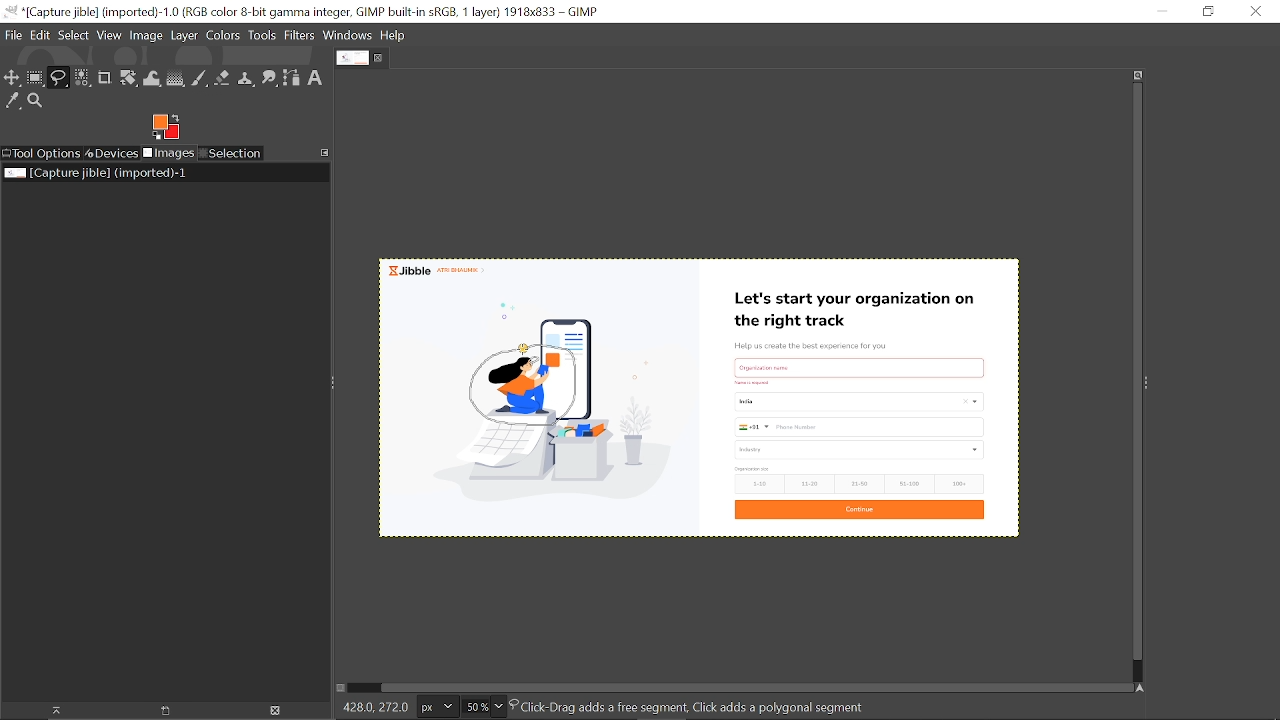 Image resolution: width=1280 pixels, height=720 pixels. What do you see at coordinates (818, 396) in the screenshot?
I see `Current image` at bounding box center [818, 396].